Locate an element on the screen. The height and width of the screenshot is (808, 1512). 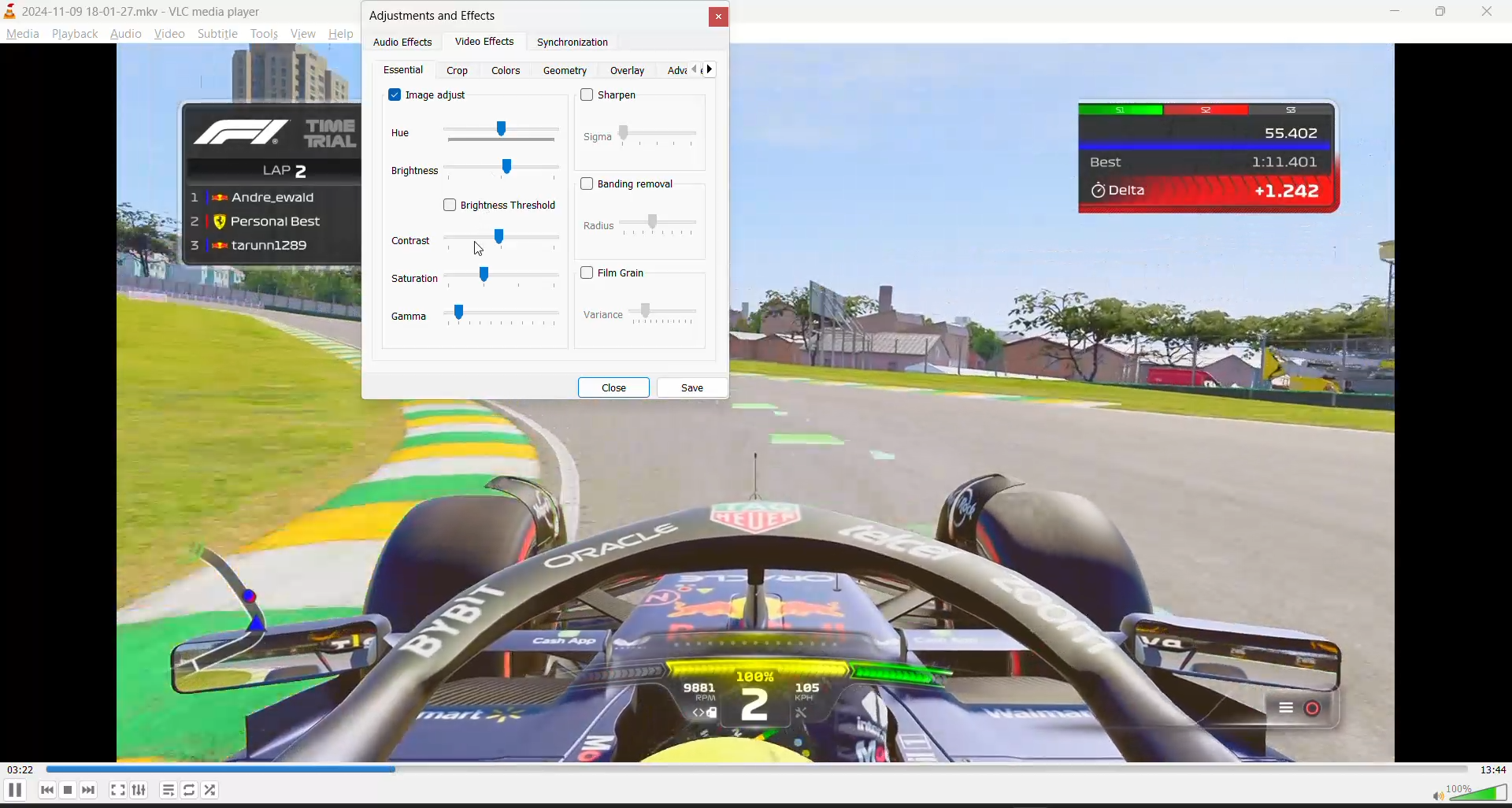
 is located at coordinates (599, 225).